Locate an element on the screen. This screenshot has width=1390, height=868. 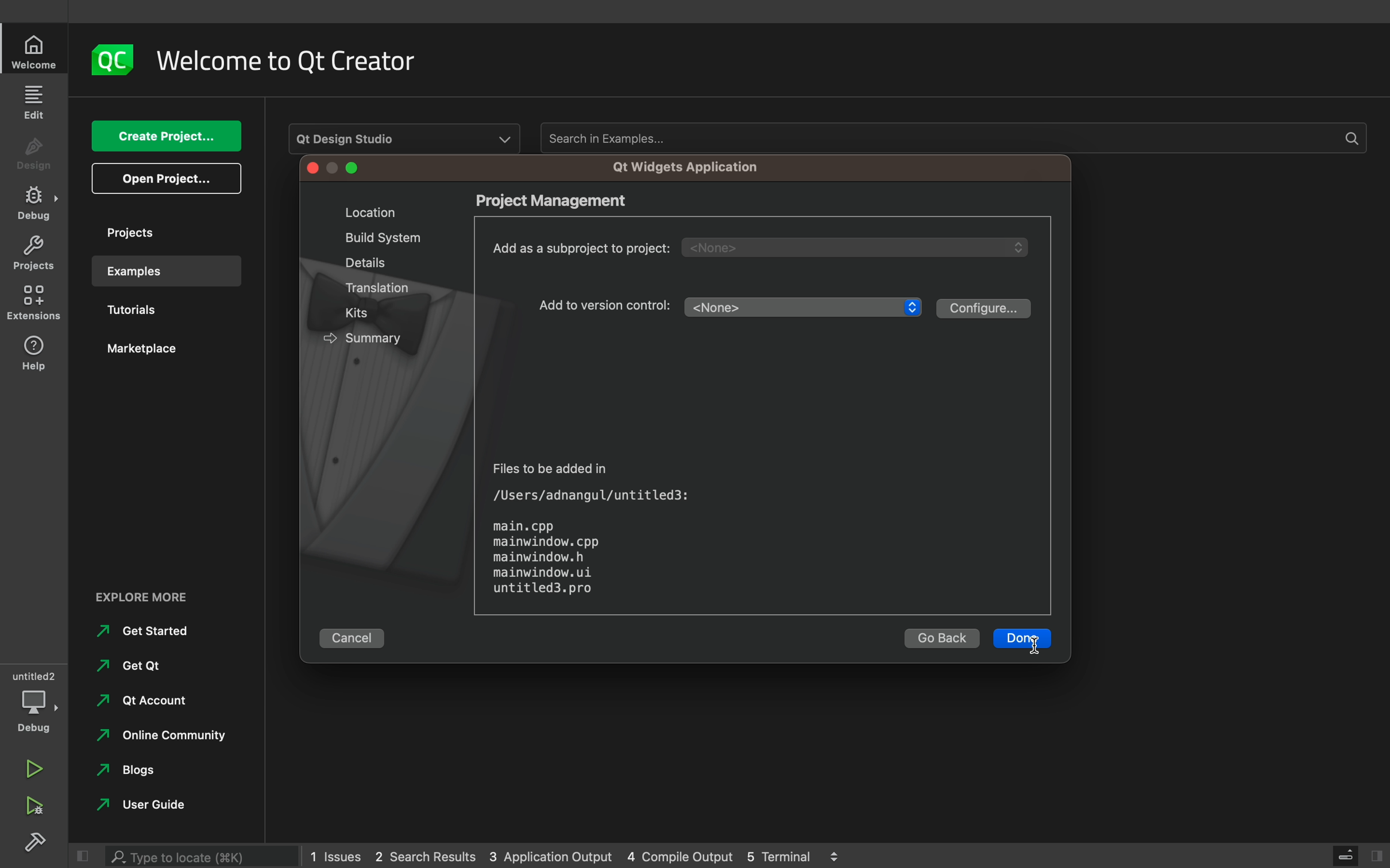
cancel is located at coordinates (357, 635).